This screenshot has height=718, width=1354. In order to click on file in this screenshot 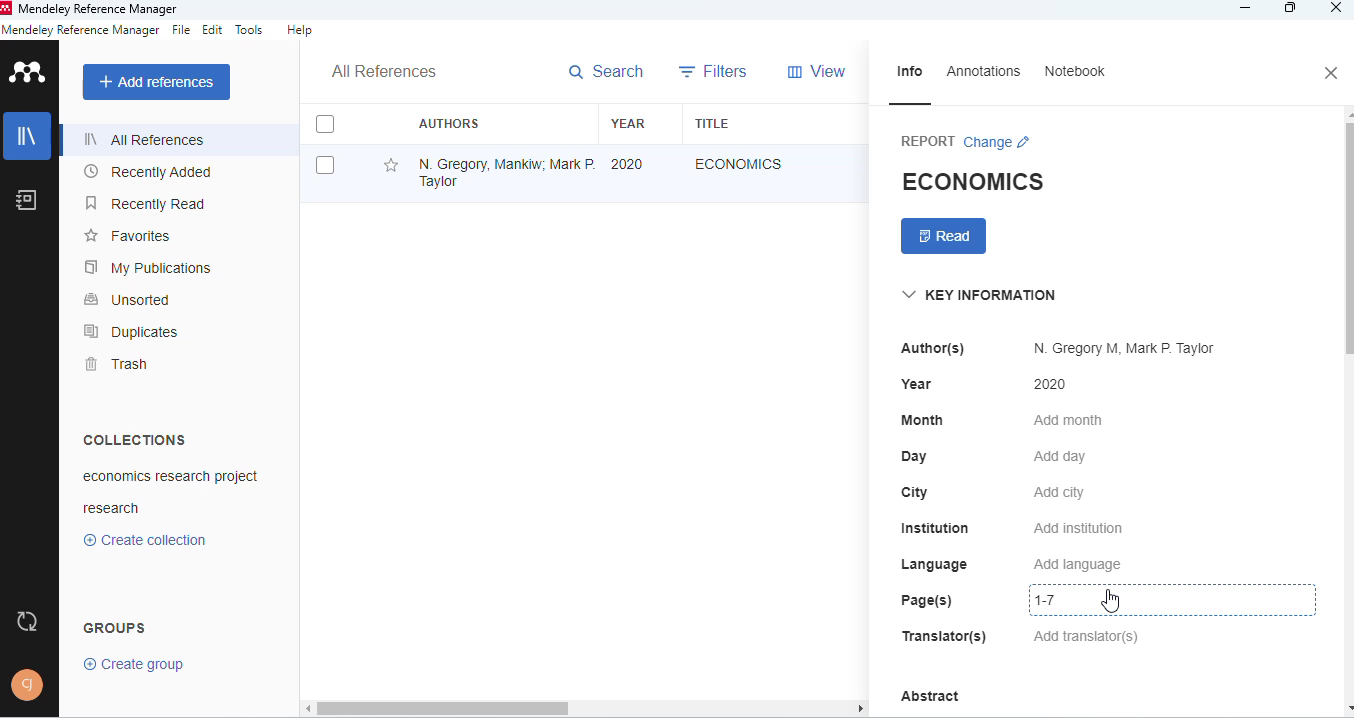, I will do `click(181, 29)`.